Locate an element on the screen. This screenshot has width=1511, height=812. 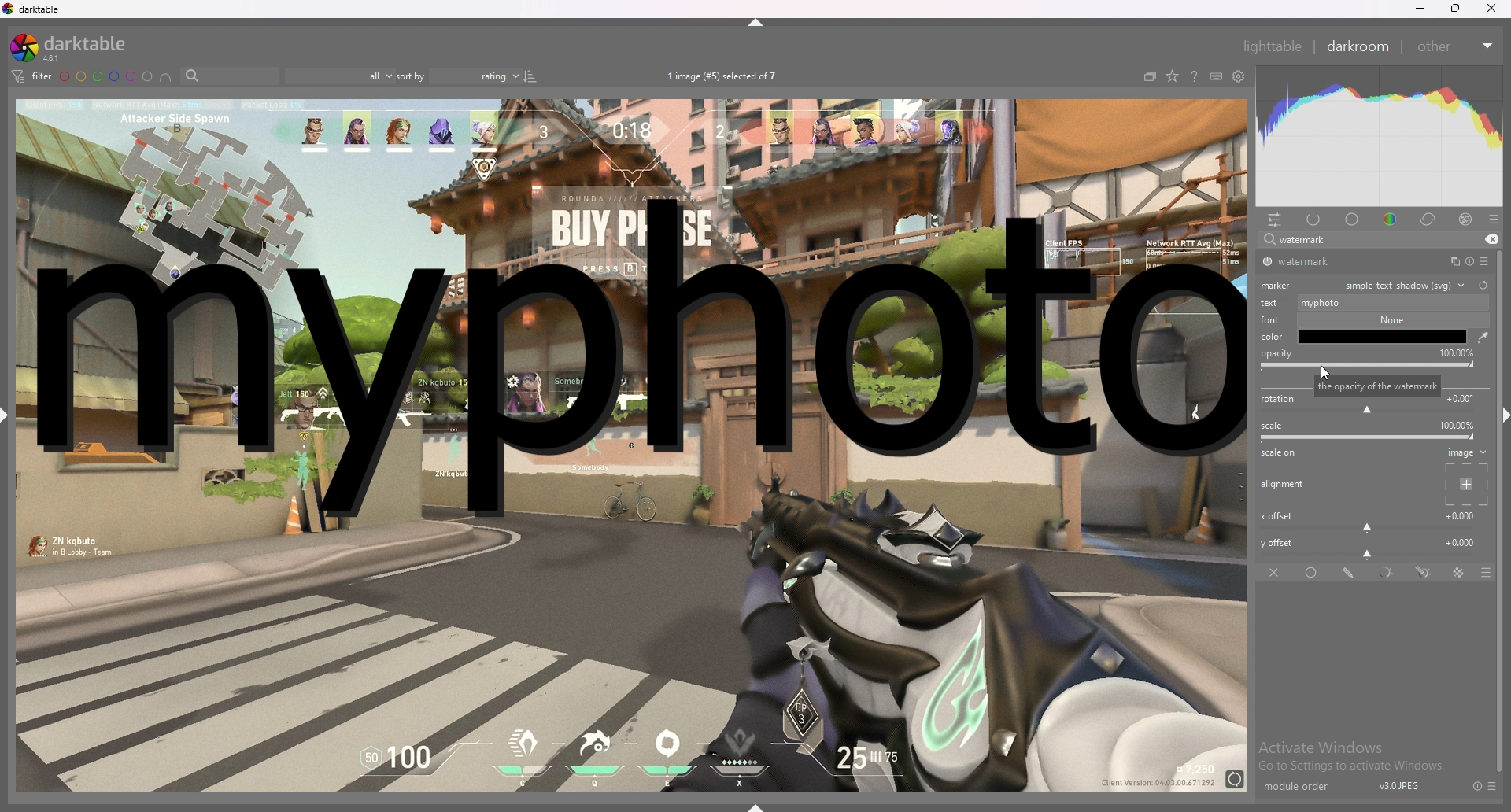
hide is located at coordinates (1498, 413).